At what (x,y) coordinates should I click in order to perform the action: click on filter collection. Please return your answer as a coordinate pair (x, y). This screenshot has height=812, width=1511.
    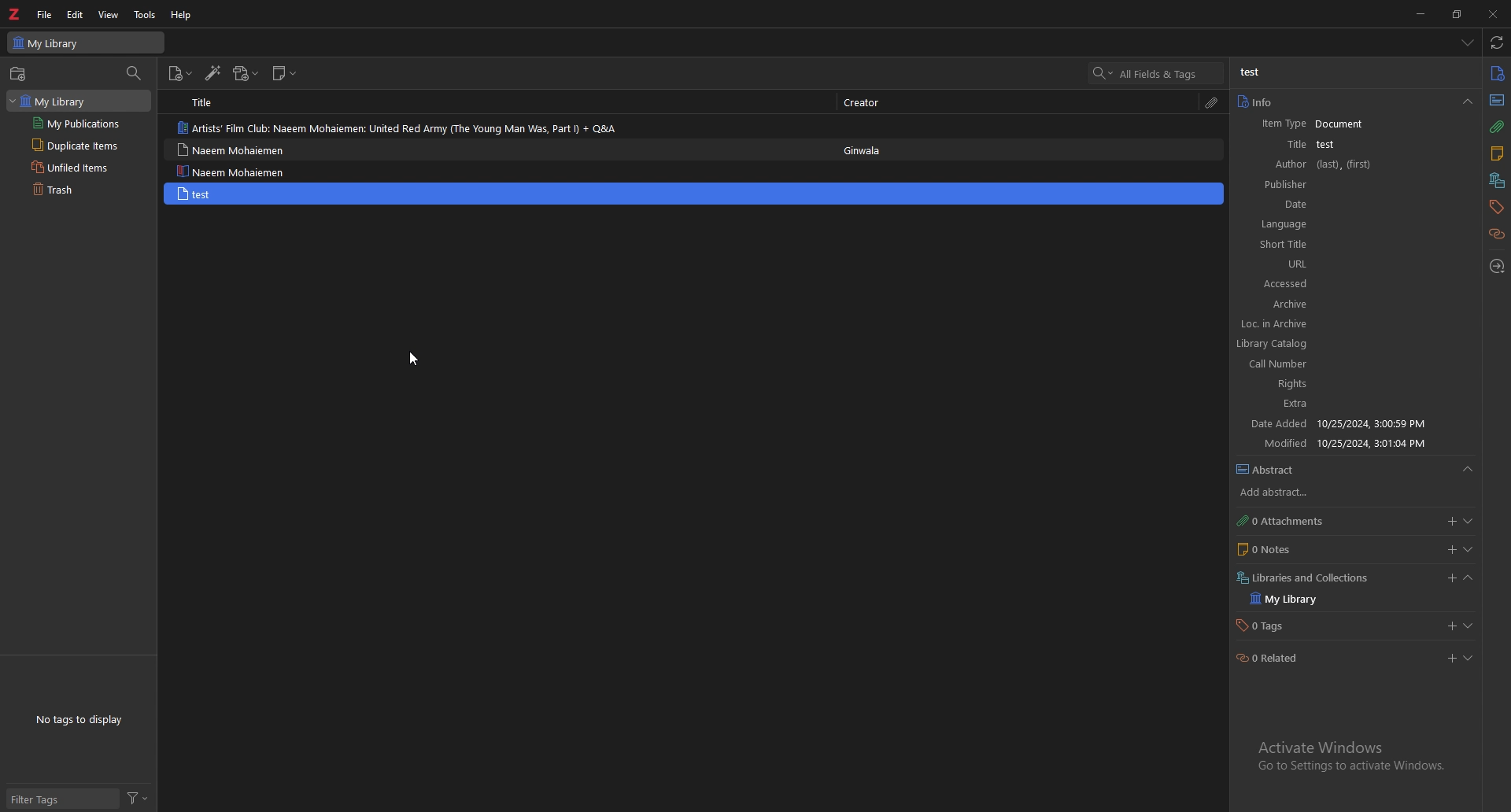
    Looking at the image, I should click on (135, 75).